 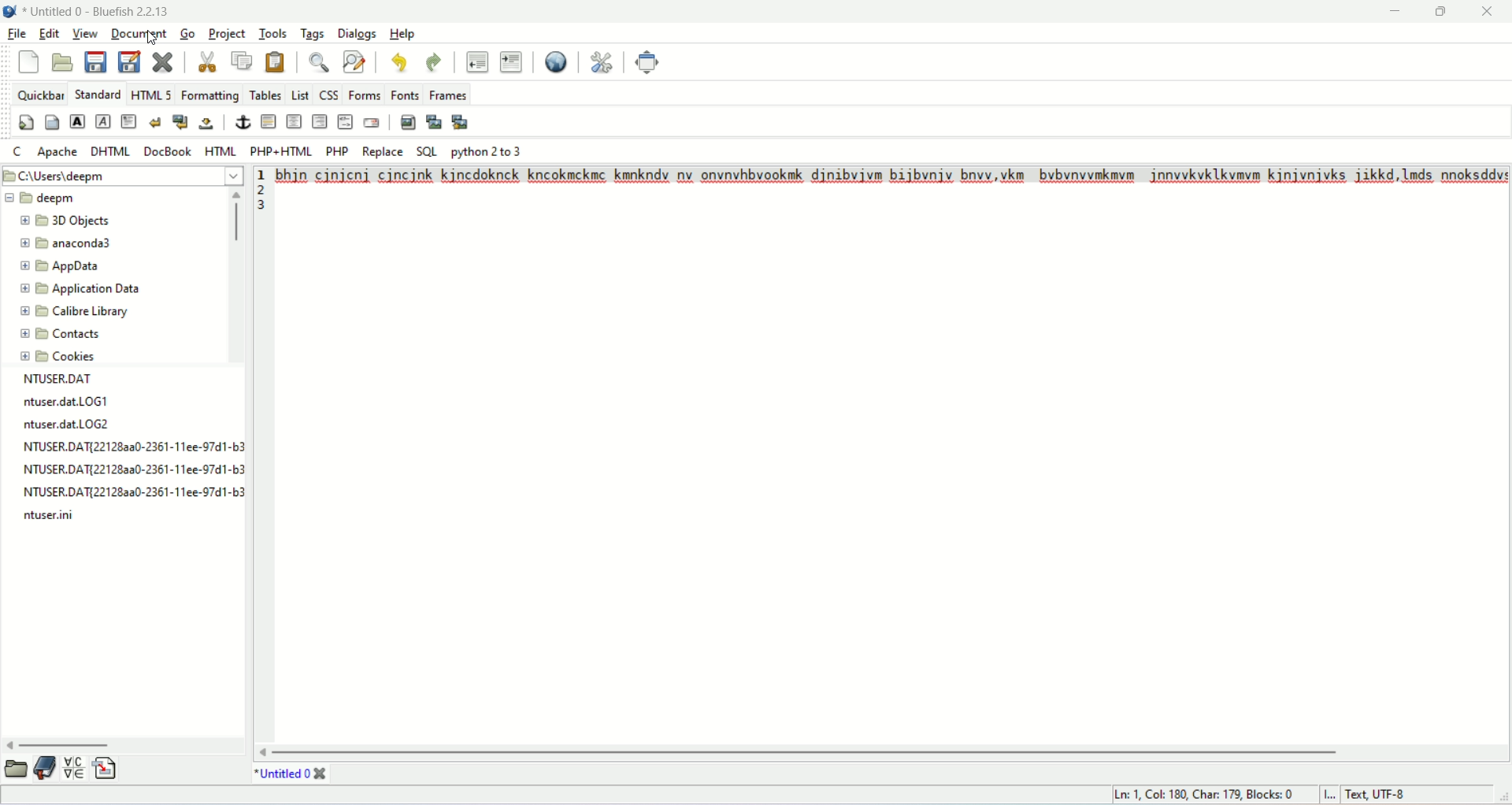 What do you see at coordinates (405, 95) in the screenshot?
I see `fonts` at bounding box center [405, 95].